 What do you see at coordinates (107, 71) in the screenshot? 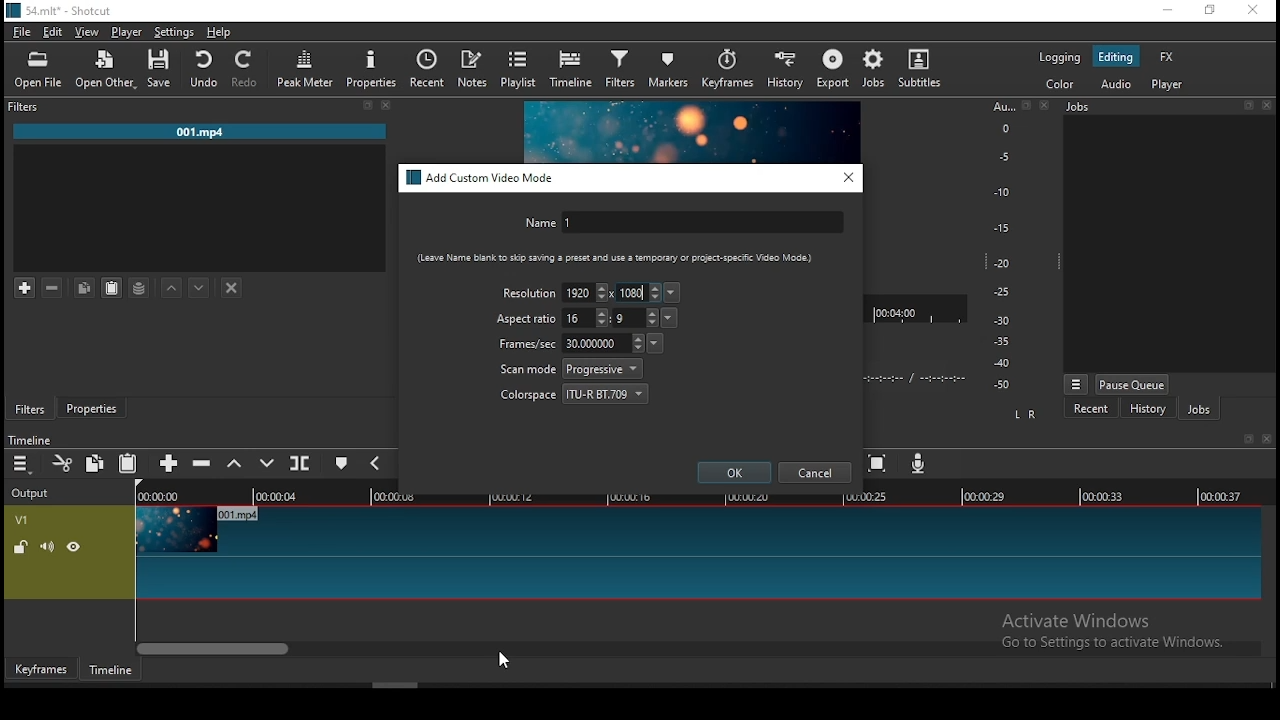
I see `open other` at bounding box center [107, 71].